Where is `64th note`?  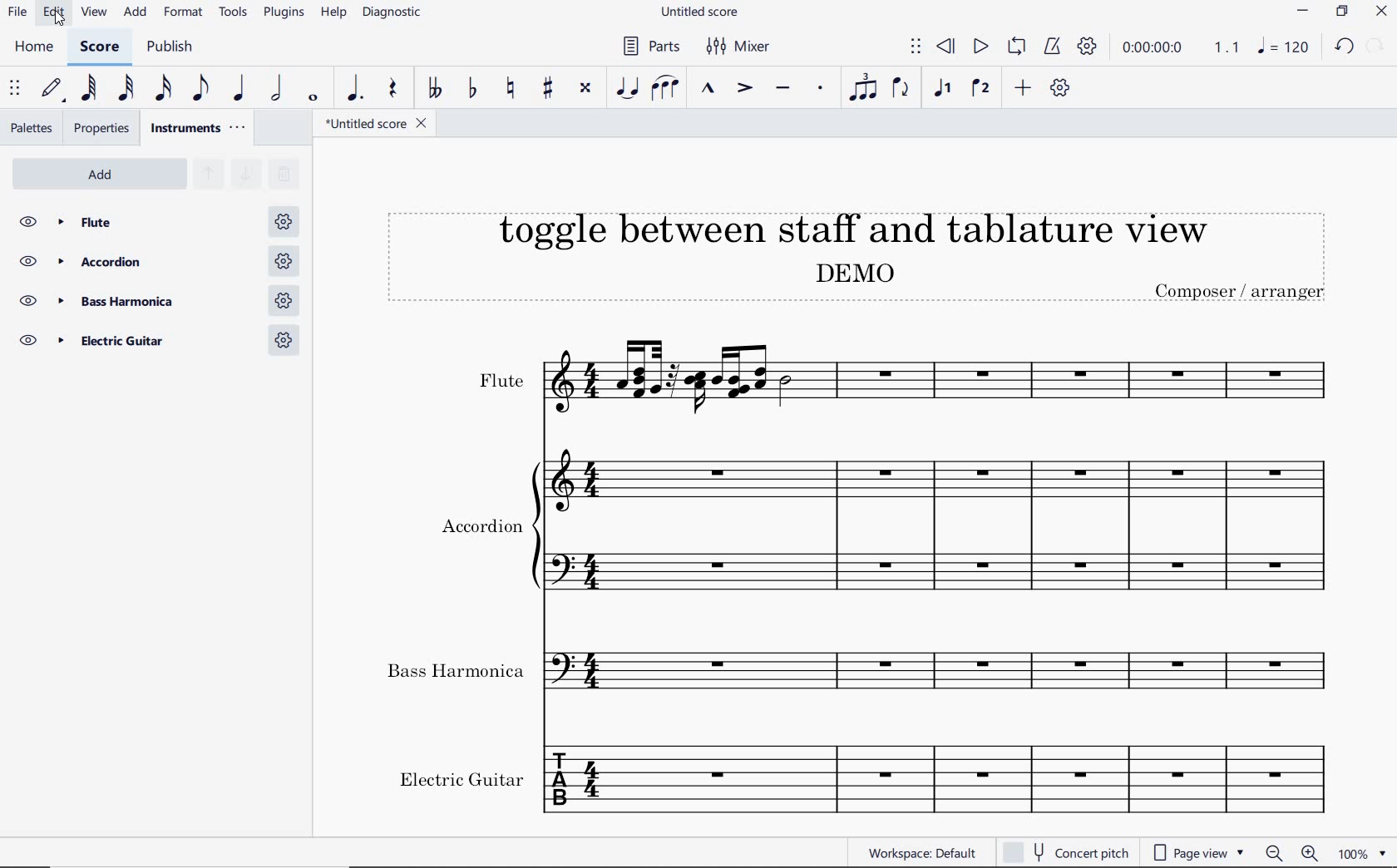 64th note is located at coordinates (87, 89).